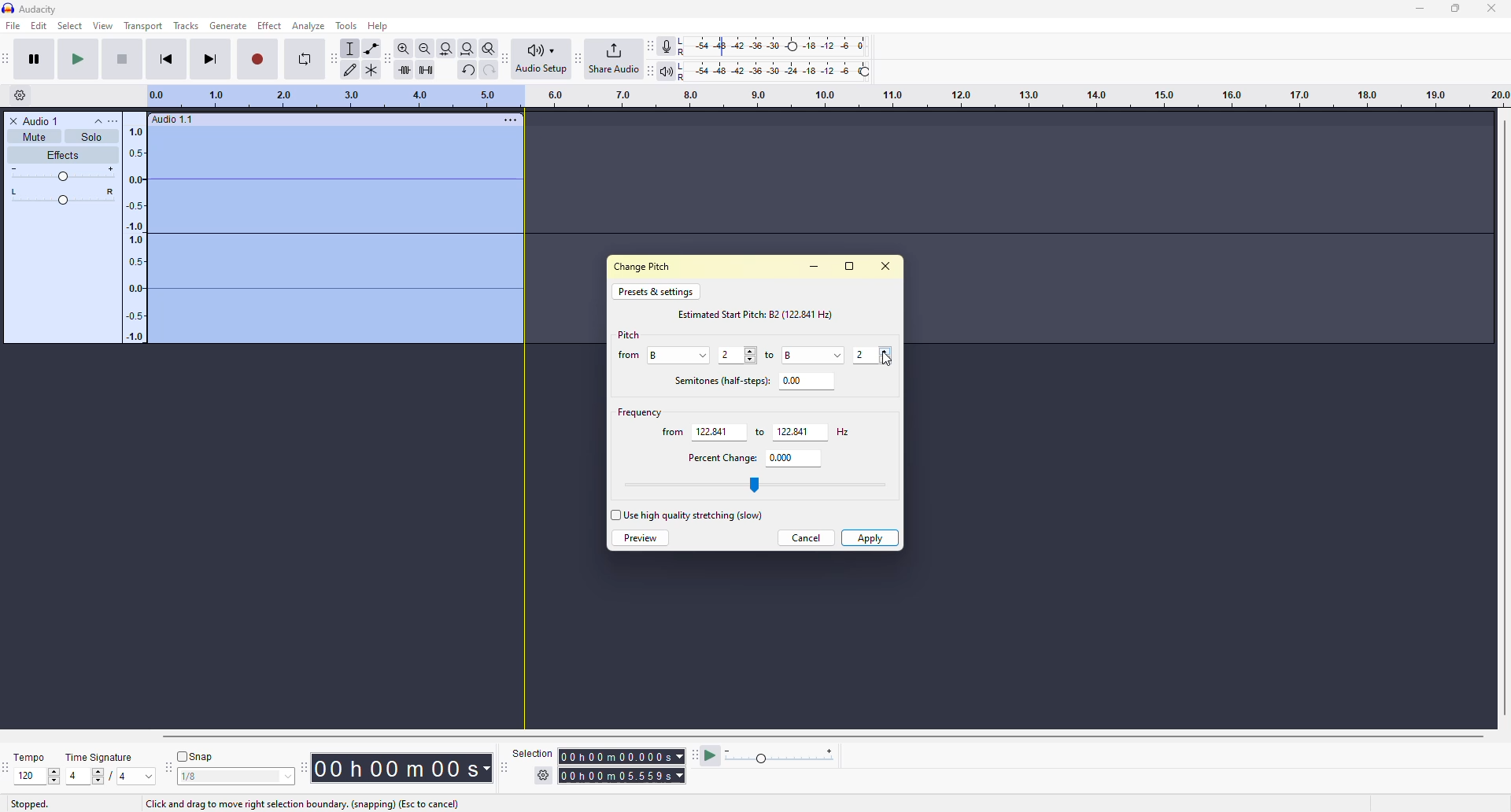 Image resolution: width=1511 pixels, height=812 pixels. I want to click on gennerate, so click(227, 25).